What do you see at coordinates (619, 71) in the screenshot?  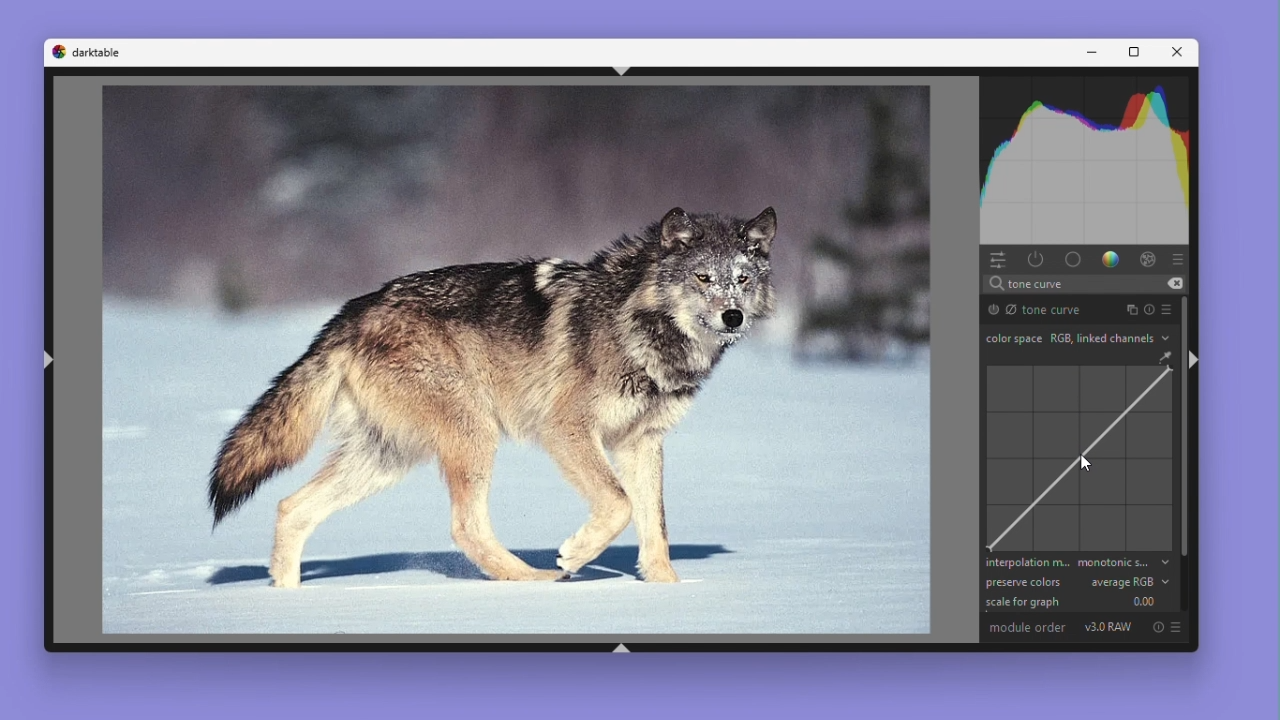 I see `shift+ctrl+t` at bounding box center [619, 71].